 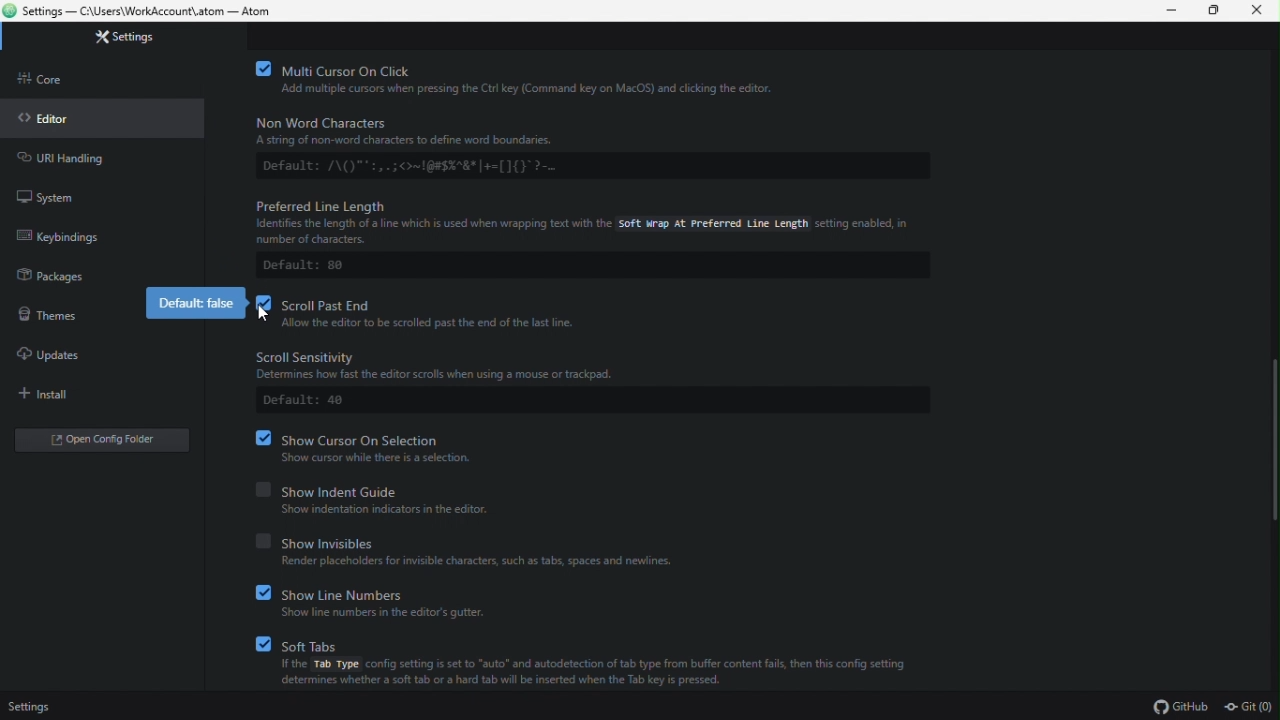 What do you see at coordinates (1258, 11) in the screenshot?
I see `Close` at bounding box center [1258, 11].